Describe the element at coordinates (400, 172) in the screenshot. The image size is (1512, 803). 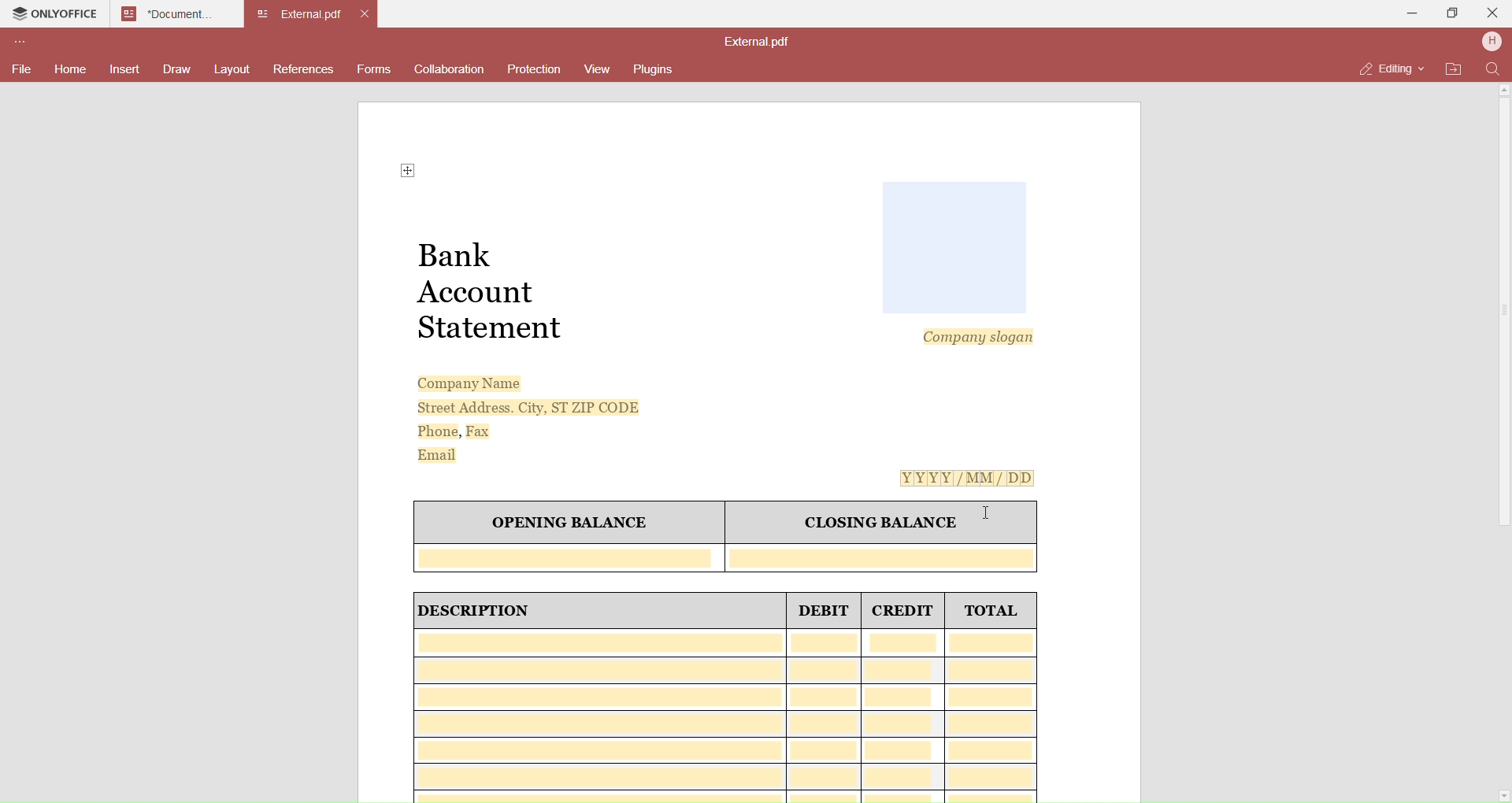
I see `viewmore` at that location.